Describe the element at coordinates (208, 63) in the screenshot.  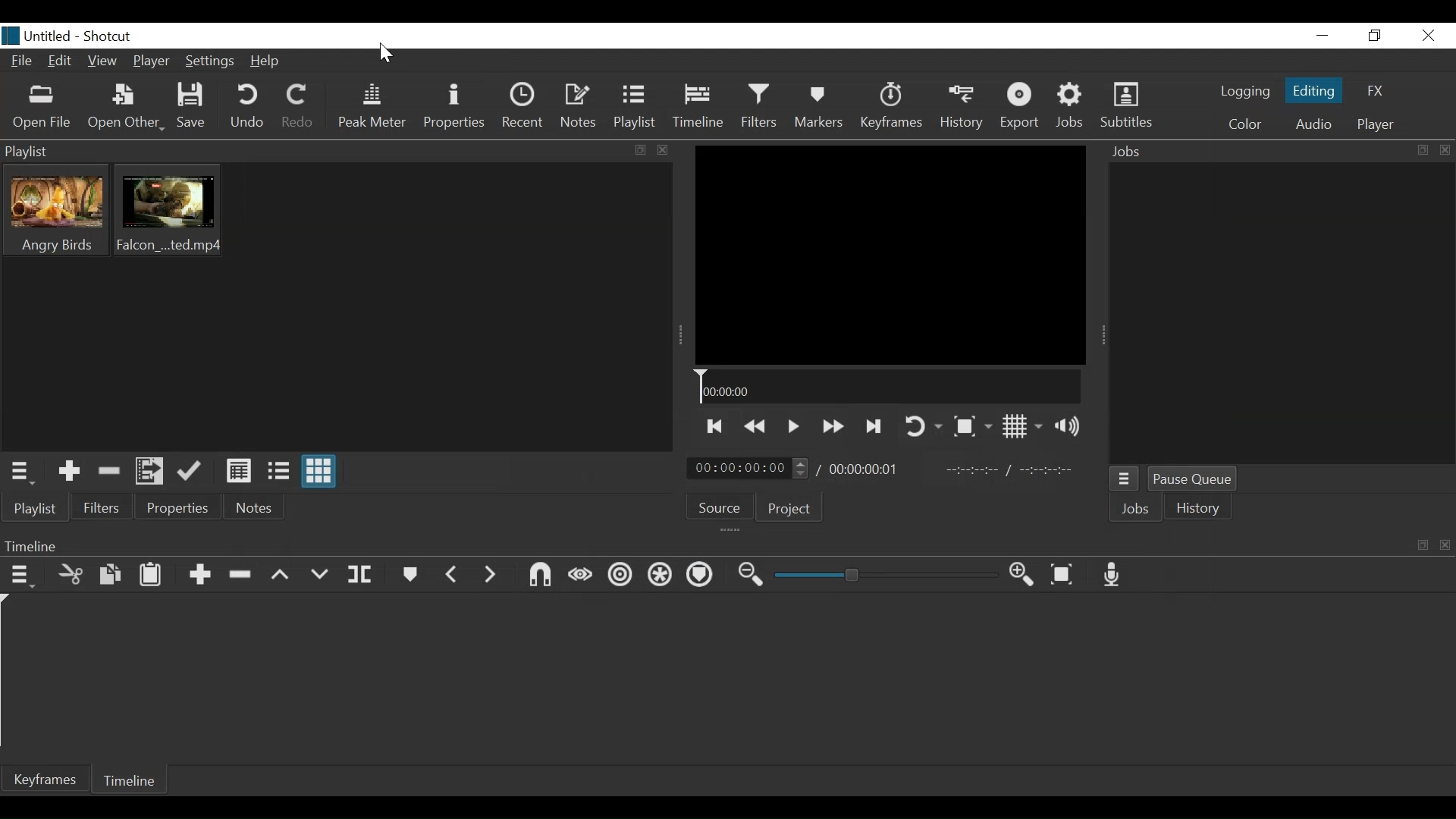
I see `Settings` at that location.